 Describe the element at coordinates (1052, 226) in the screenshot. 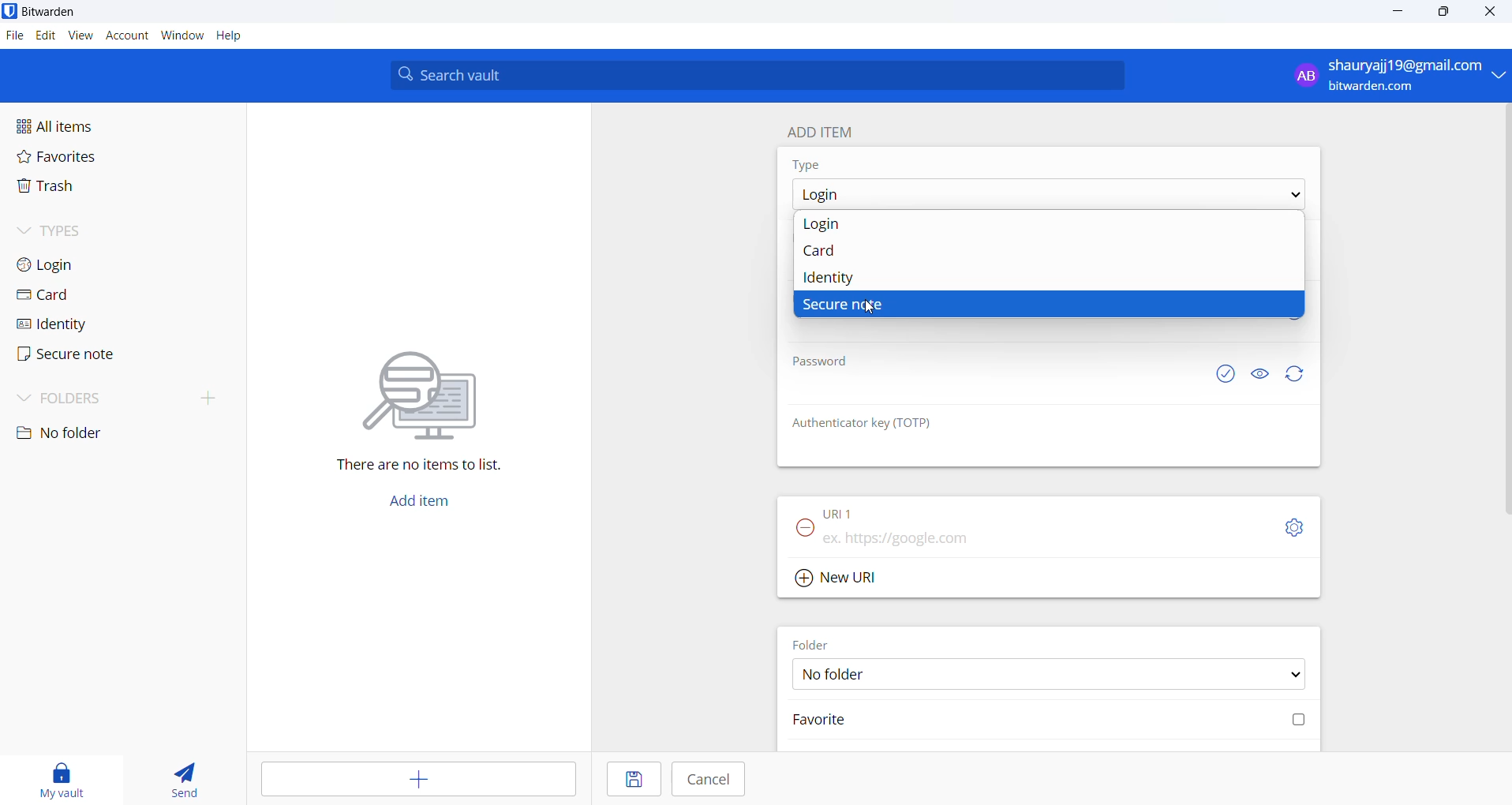

I see `login` at that location.